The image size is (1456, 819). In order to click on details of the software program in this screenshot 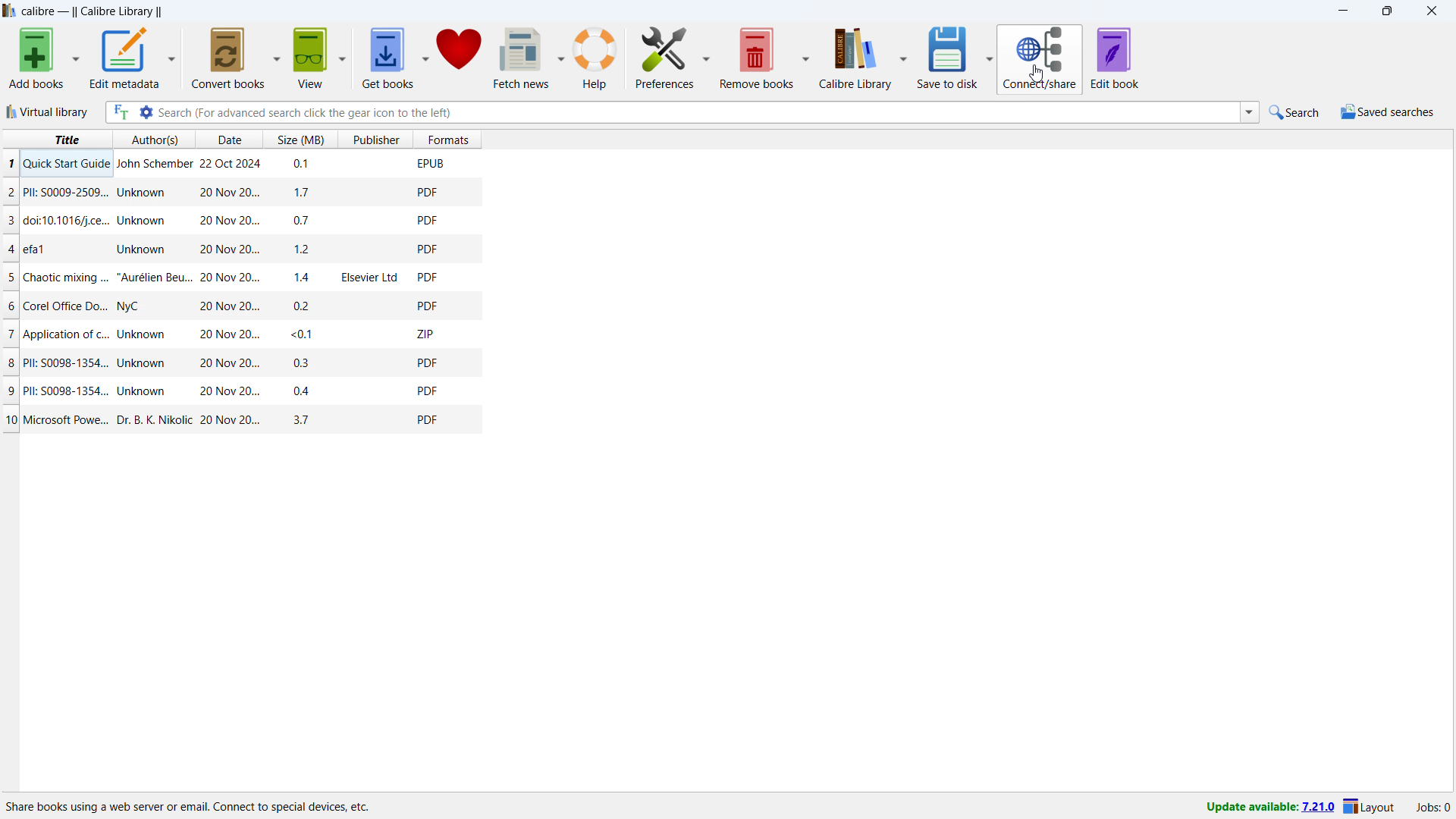, I will do `click(190, 803)`.